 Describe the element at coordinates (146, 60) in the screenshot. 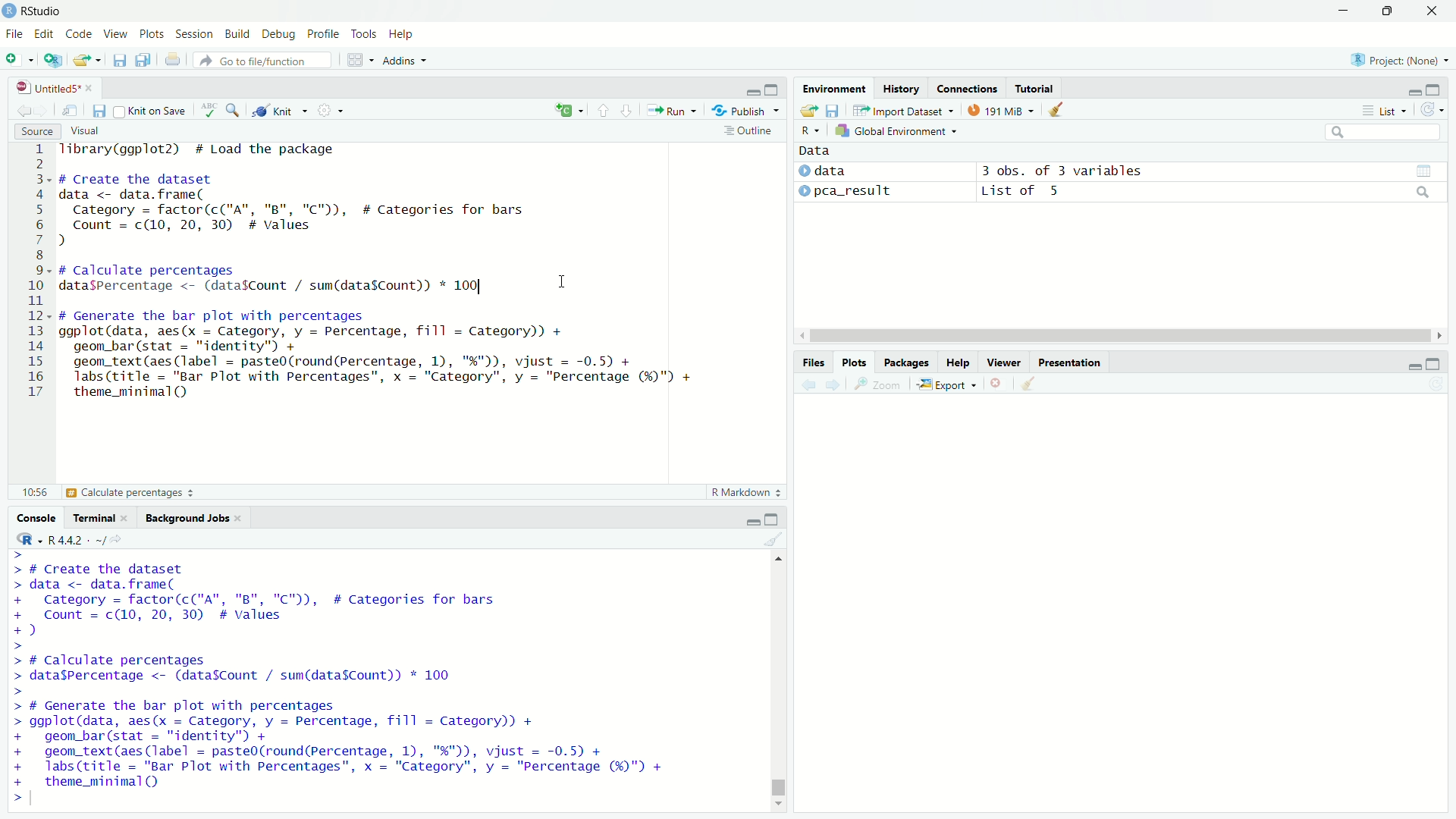

I see `save all` at that location.